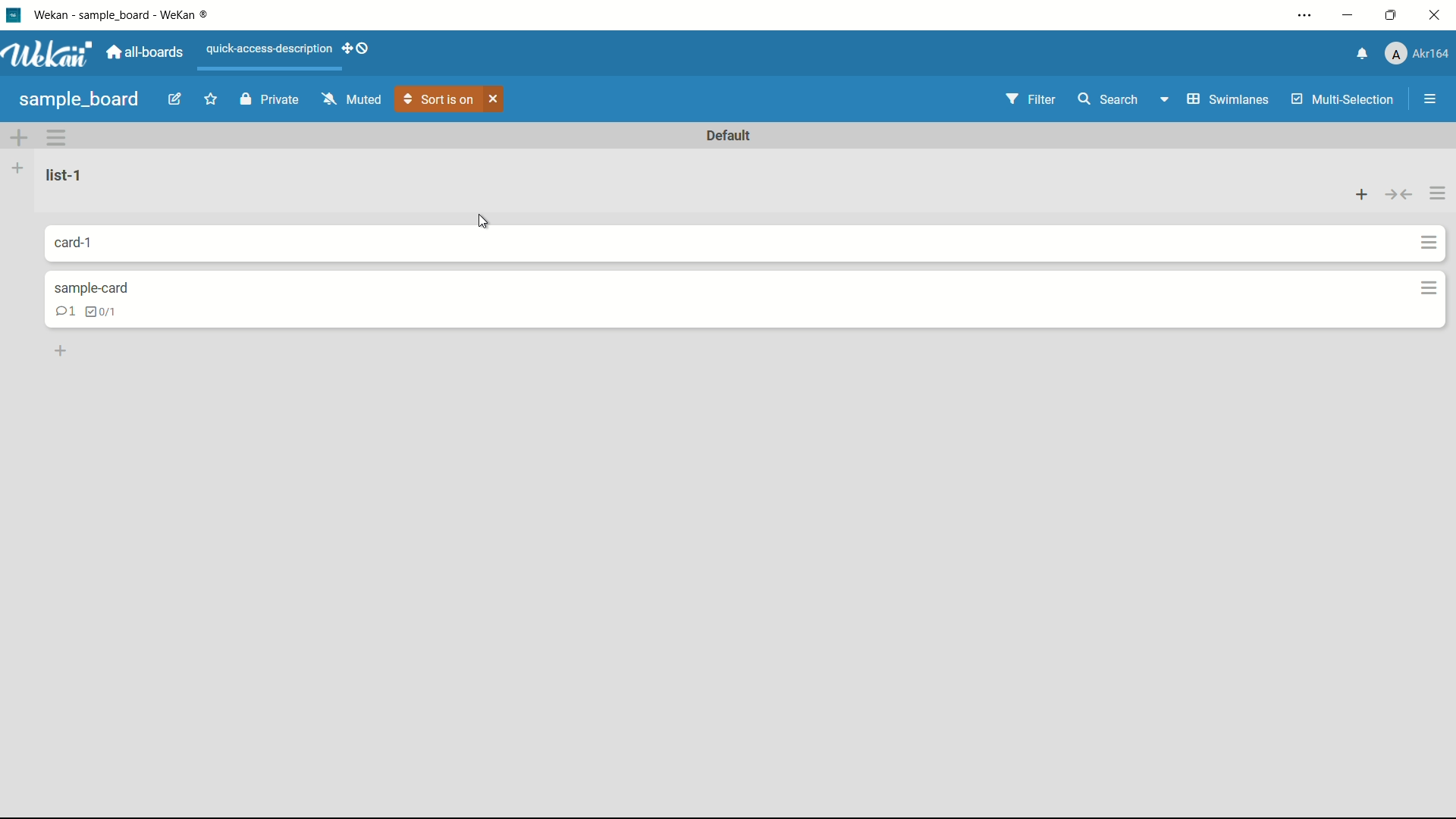 The image size is (1456, 819). What do you see at coordinates (1436, 15) in the screenshot?
I see `close app` at bounding box center [1436, 15].